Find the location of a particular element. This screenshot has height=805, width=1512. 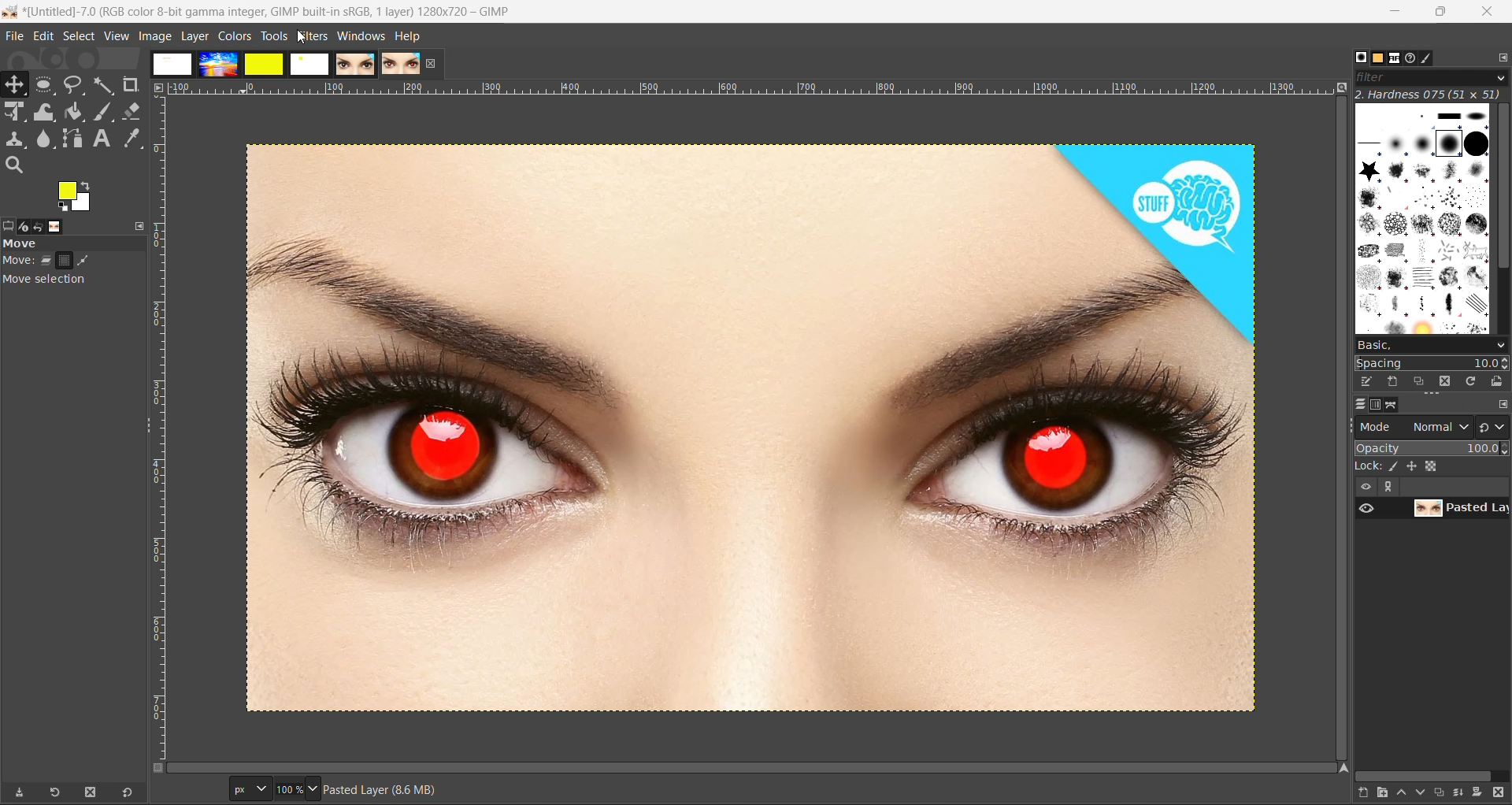

patterns  is located at coordinates (1370, 57).